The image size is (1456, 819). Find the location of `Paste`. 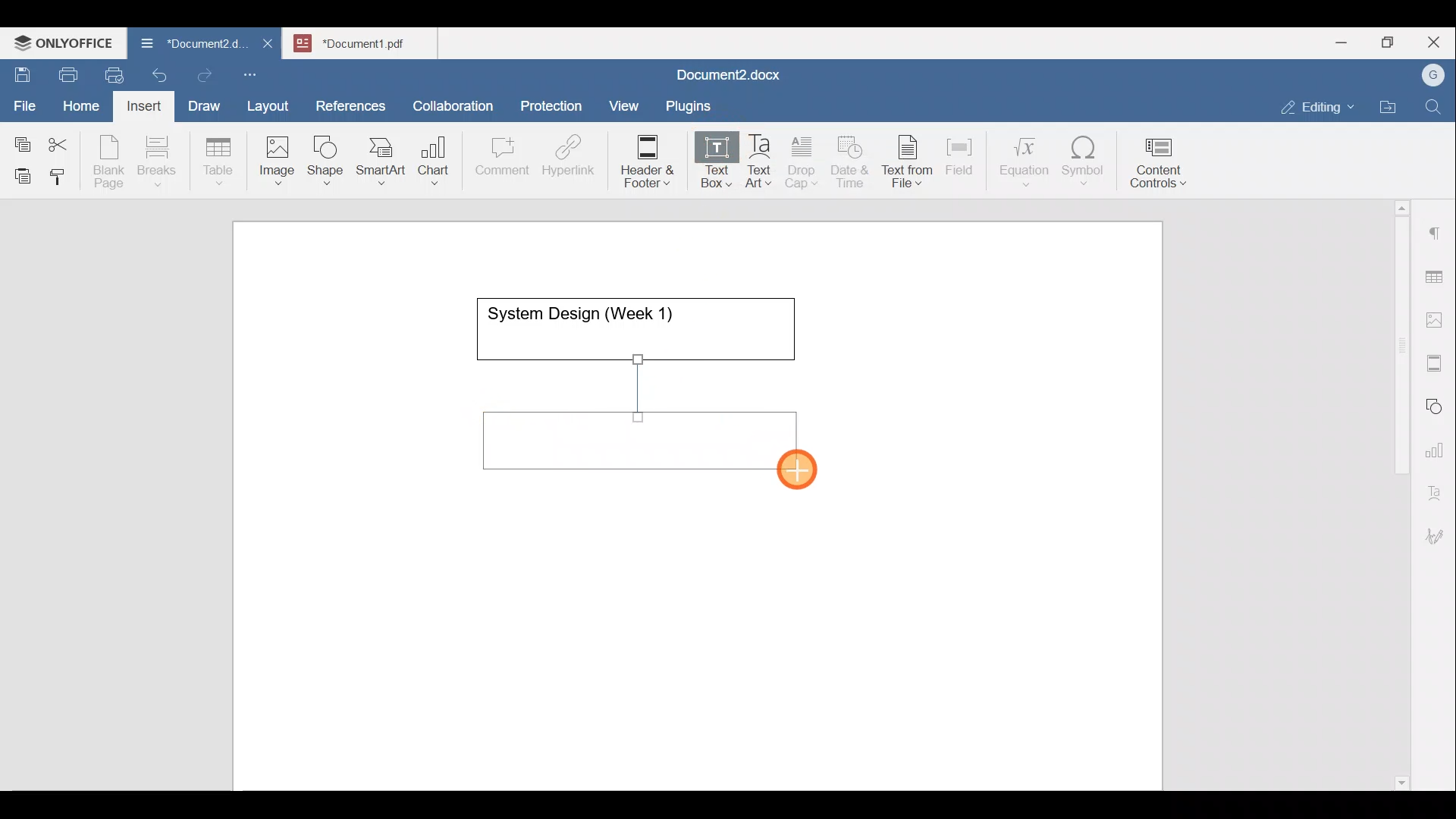

Paste is located at coordinates (19, 172).